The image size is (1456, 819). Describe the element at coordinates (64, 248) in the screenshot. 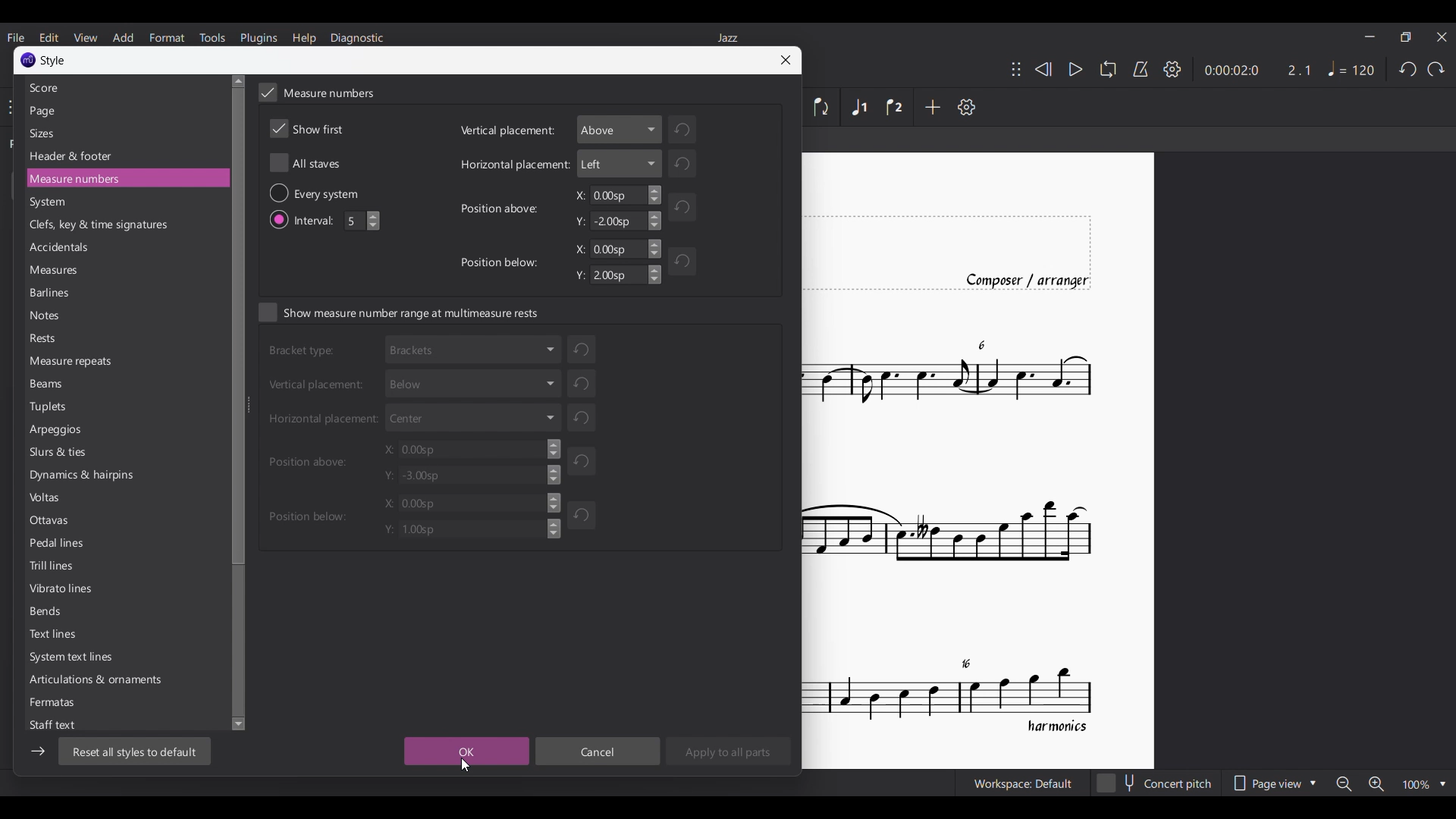

I see `Accidentals` at that location.